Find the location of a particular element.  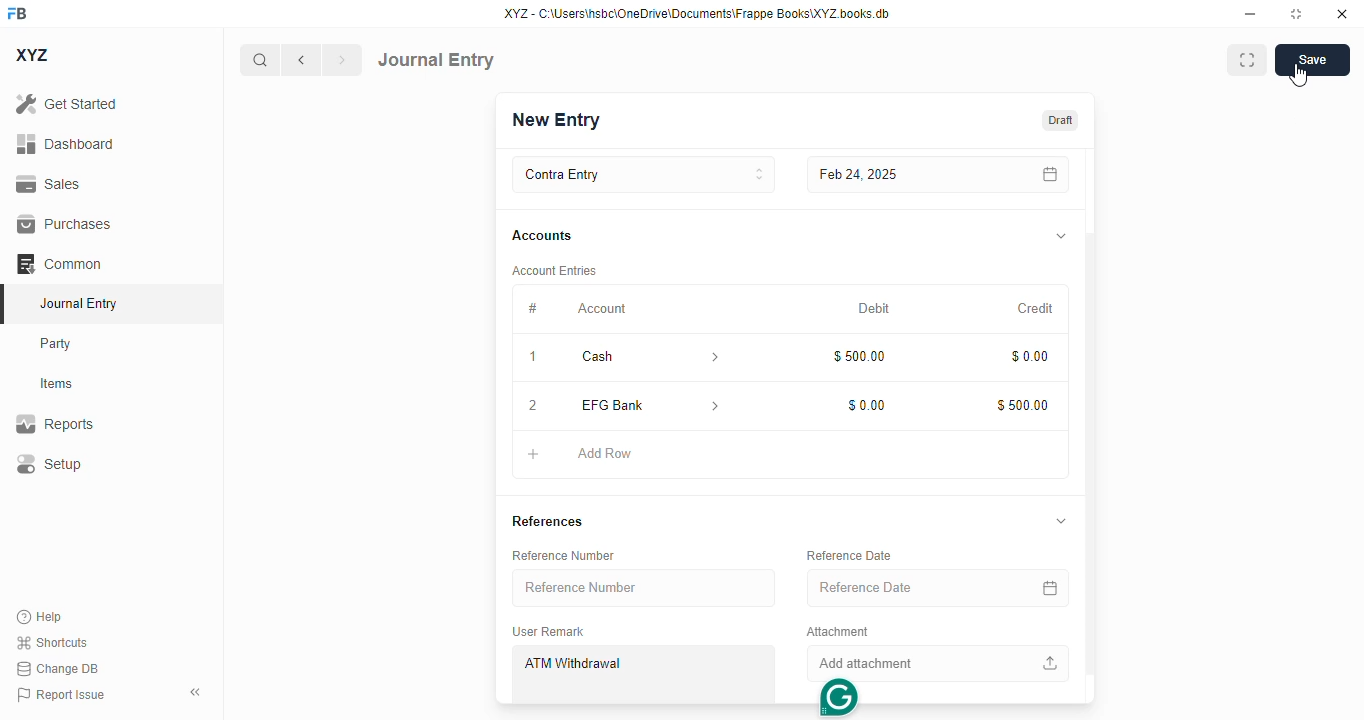

grammarly extension is located at coordinates (837, 697).